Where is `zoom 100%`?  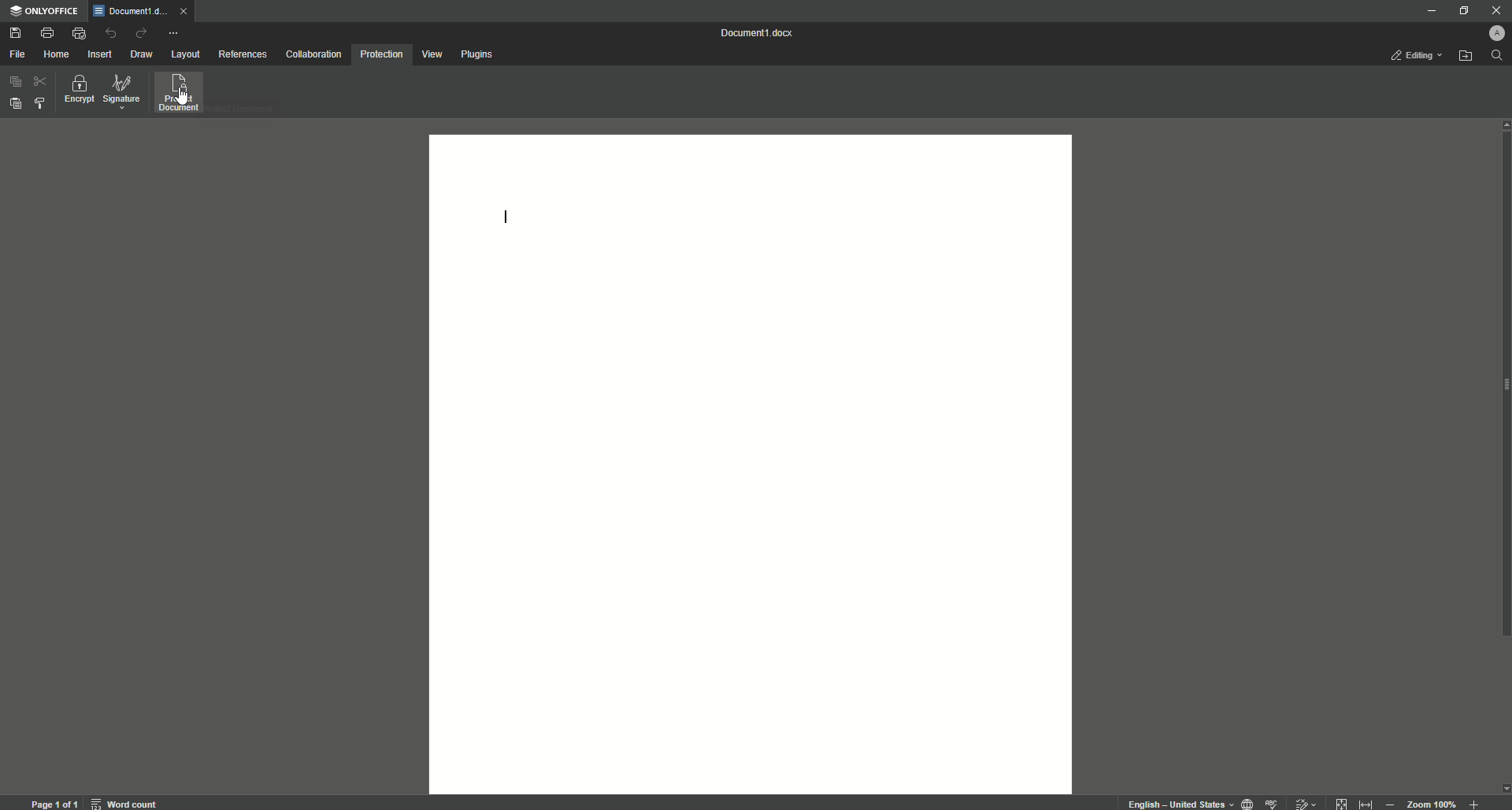 zoom 100% is located at coordinates (1433, 801).